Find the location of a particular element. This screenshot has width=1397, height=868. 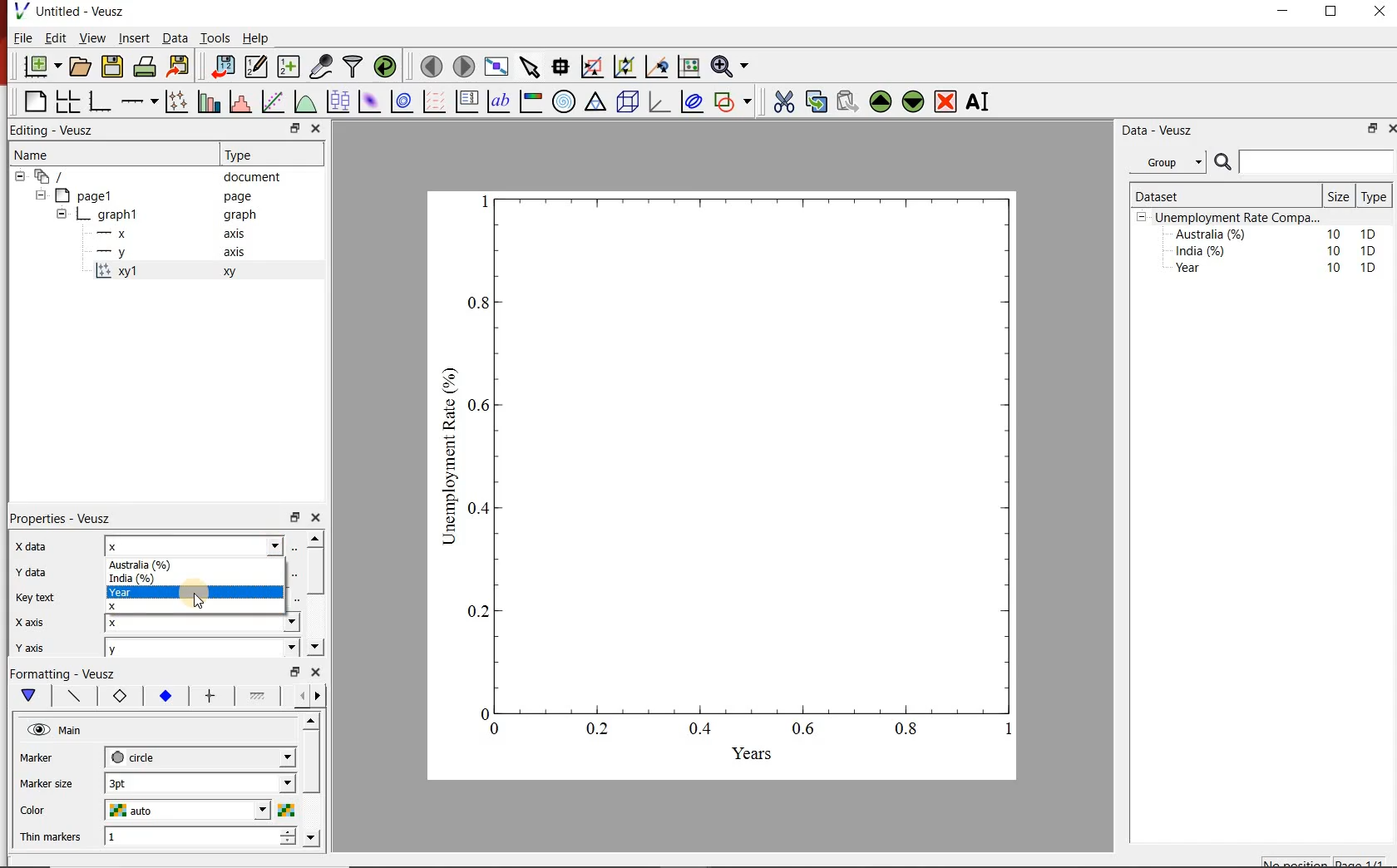

plot covariance ellipses is located at coordinates (693, 101).